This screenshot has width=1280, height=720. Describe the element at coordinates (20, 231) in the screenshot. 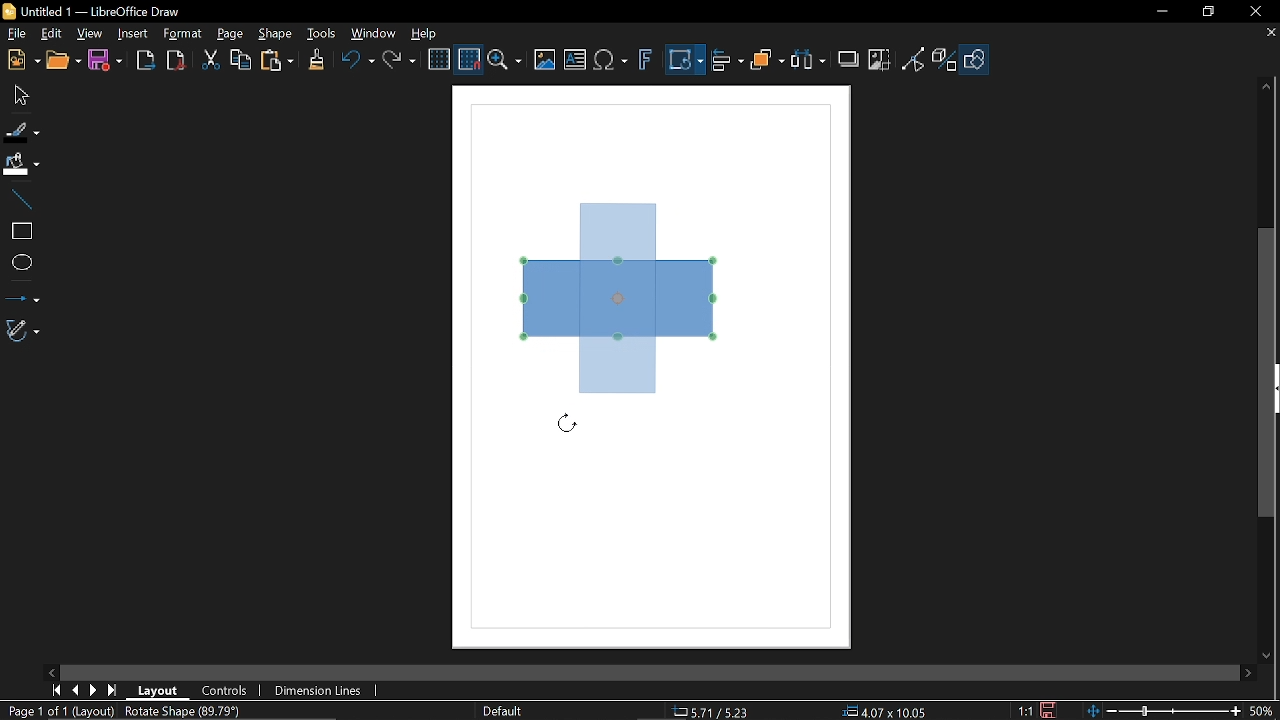

I see `Rectangle` at that location.